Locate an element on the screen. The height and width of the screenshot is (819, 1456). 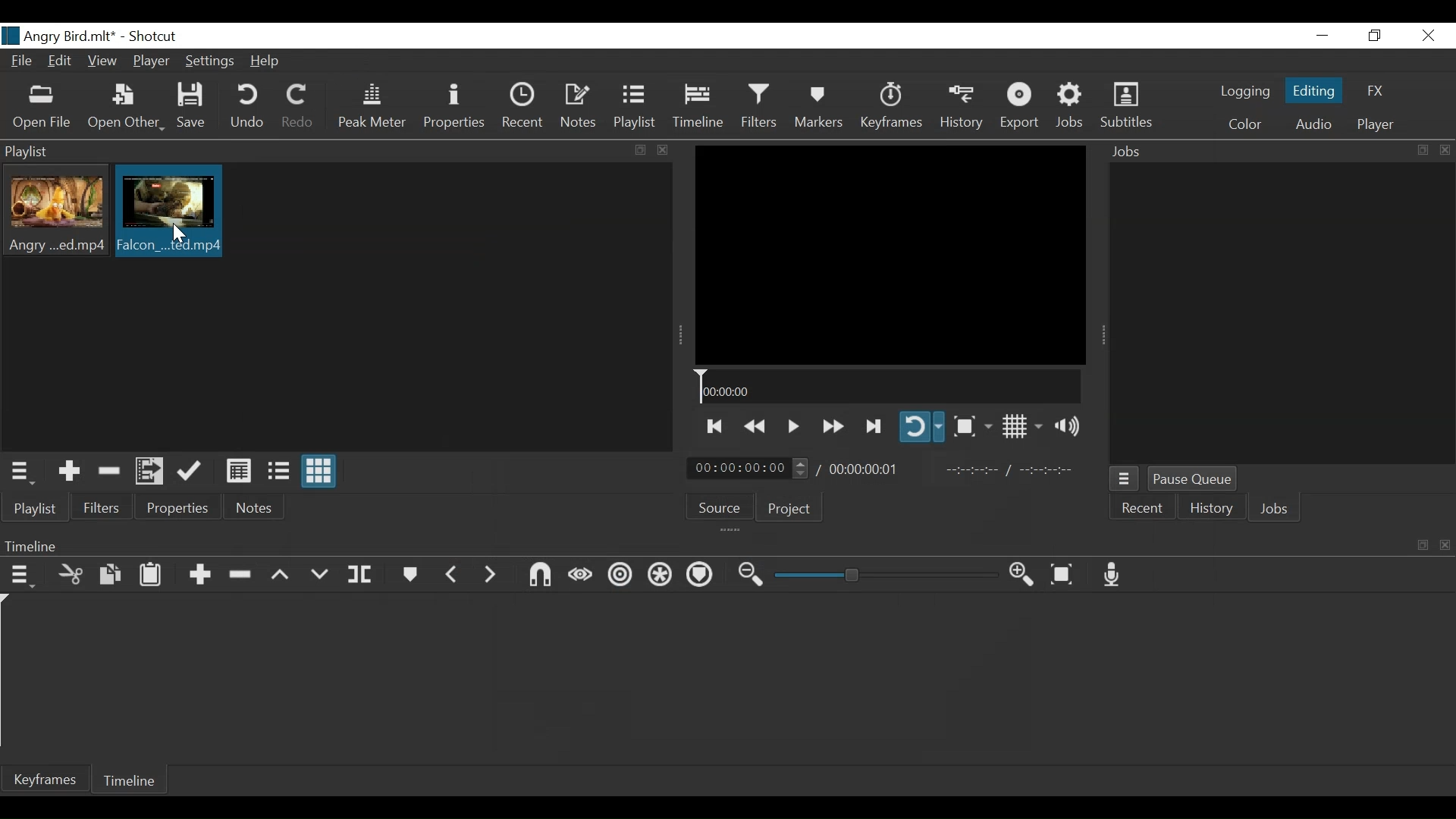
Media Viewer is located at coordinates (890, 252).